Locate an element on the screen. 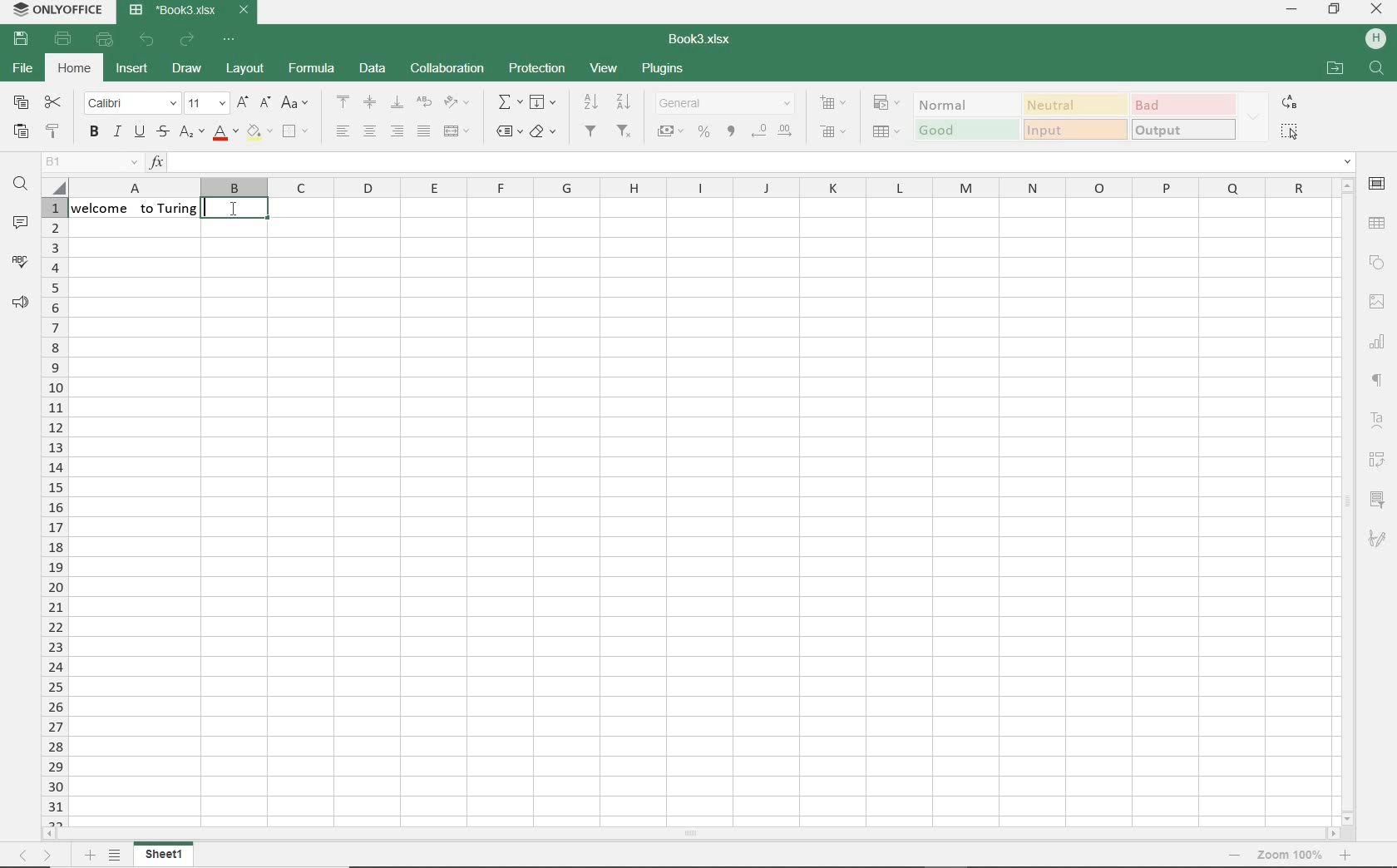 The height and width of the screenshot is (868, 1397). insert is located at coordinates (133, 70).